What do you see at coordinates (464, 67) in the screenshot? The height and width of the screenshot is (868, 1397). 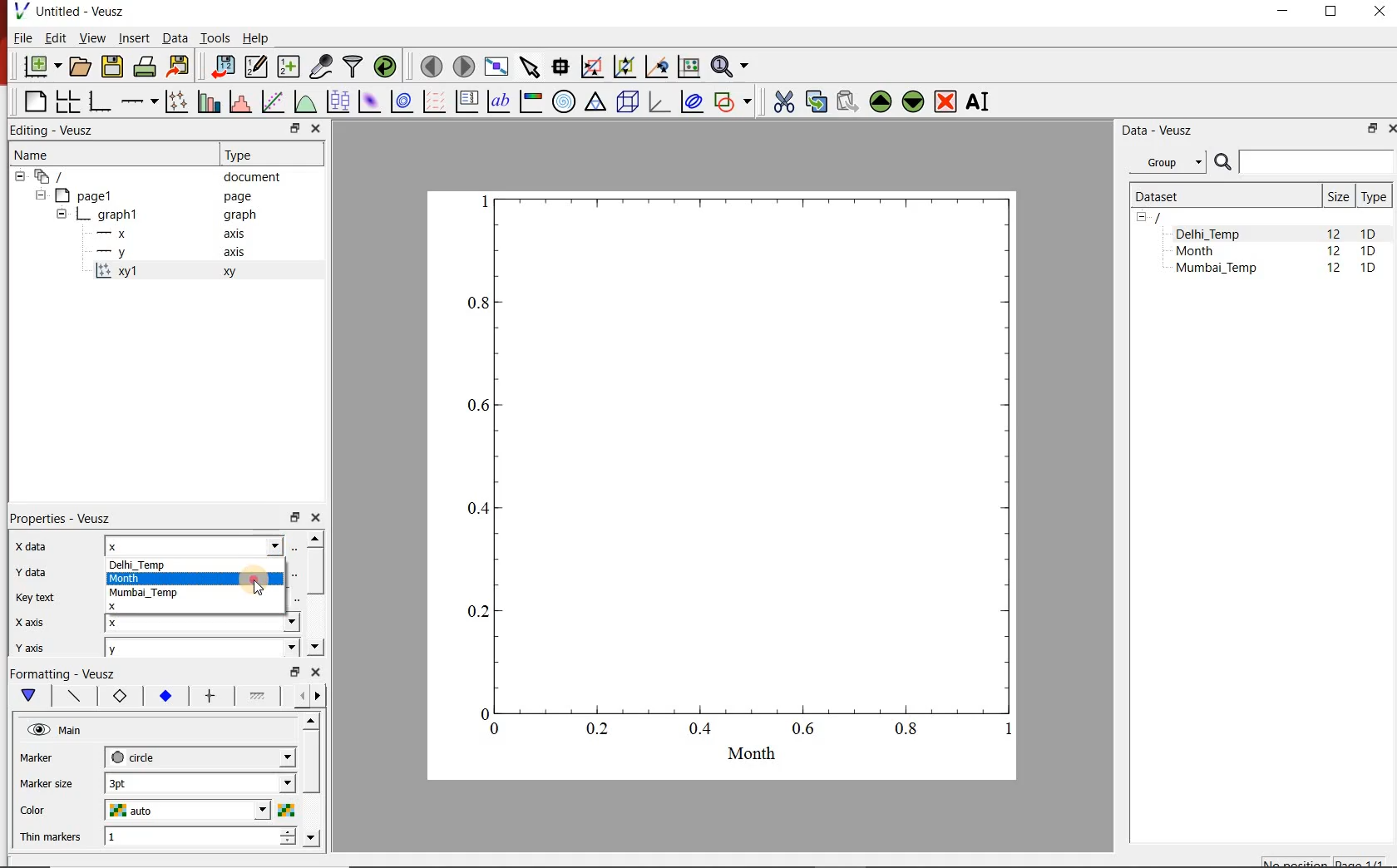 I see `move to the next page` at bounding box center [464, 67].